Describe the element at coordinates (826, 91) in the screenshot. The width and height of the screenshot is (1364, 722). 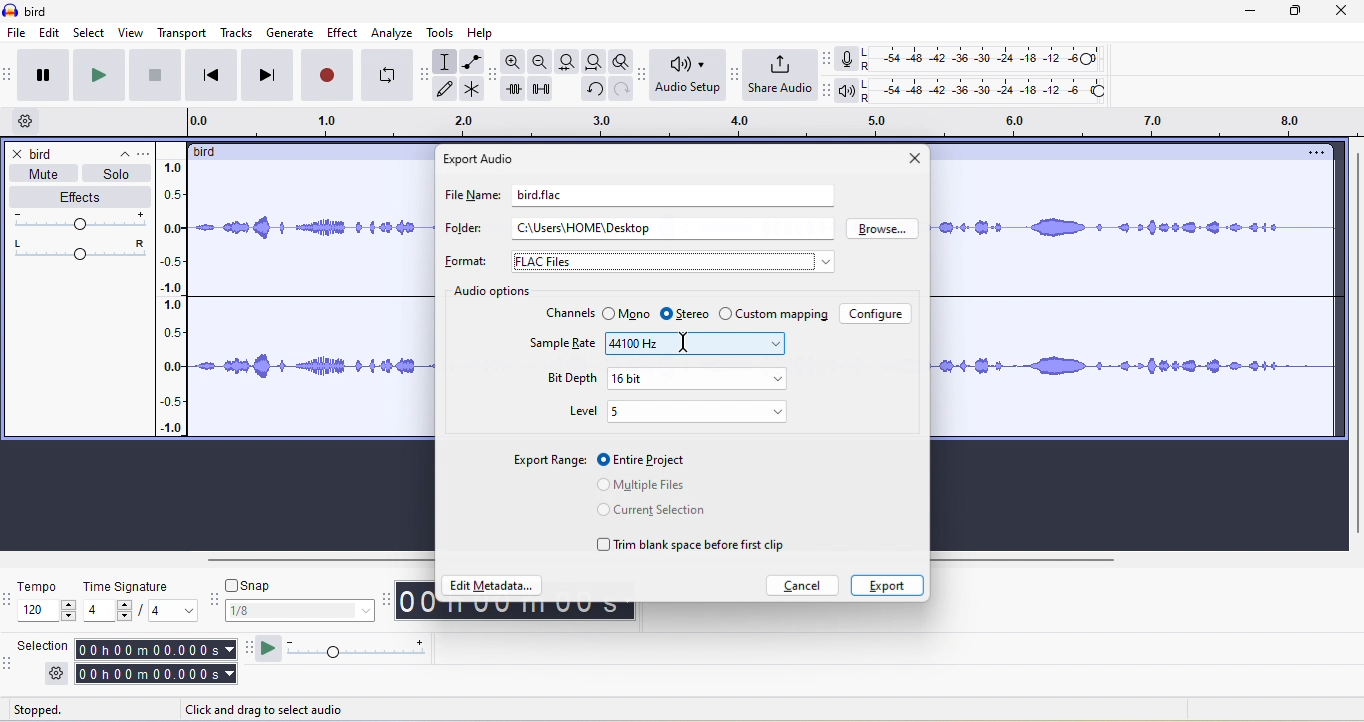
I see `audacity playback meter toolbar` at that location.